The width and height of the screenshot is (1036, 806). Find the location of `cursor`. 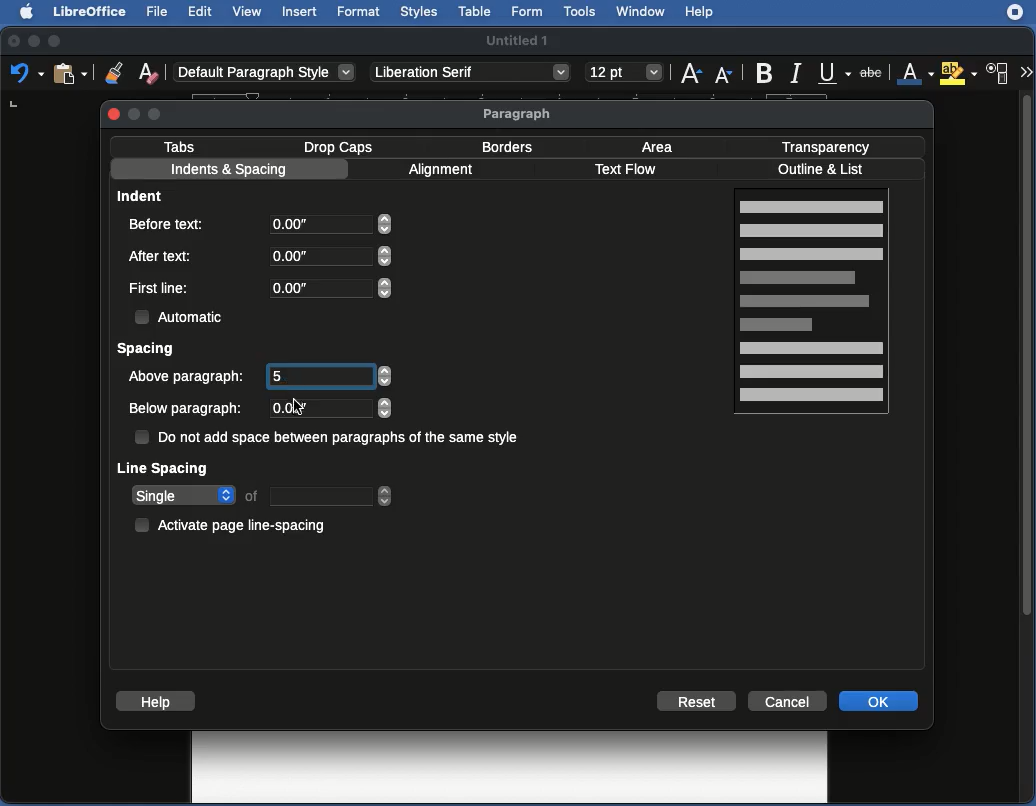

cursor is located at coordinates (299, 408).